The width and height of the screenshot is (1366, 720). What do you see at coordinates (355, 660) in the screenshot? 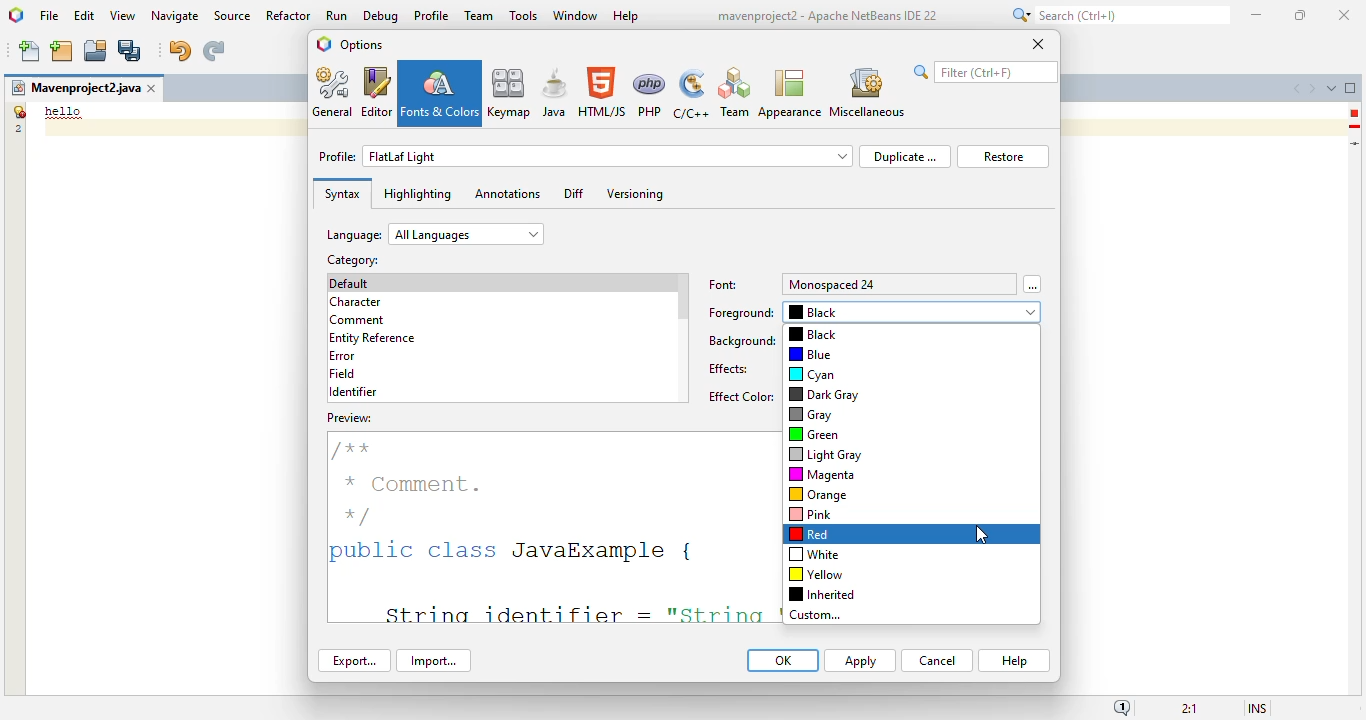
I see `export` at bounding box center [355, 660].